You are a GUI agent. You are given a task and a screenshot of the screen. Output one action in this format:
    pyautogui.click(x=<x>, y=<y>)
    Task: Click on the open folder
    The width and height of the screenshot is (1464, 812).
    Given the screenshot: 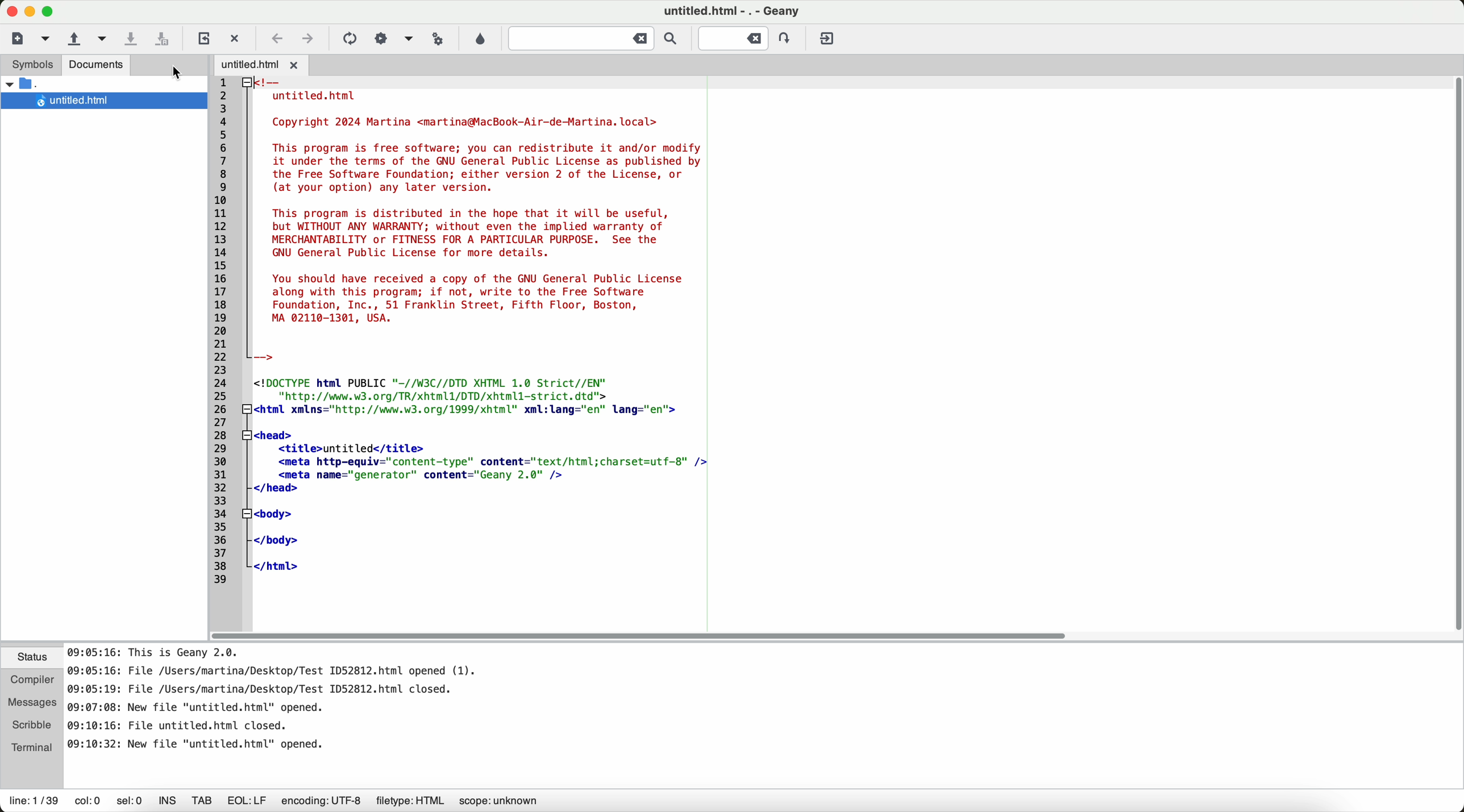 What is the action you would take?
    pyautogui.click(x=24, y=84)
    